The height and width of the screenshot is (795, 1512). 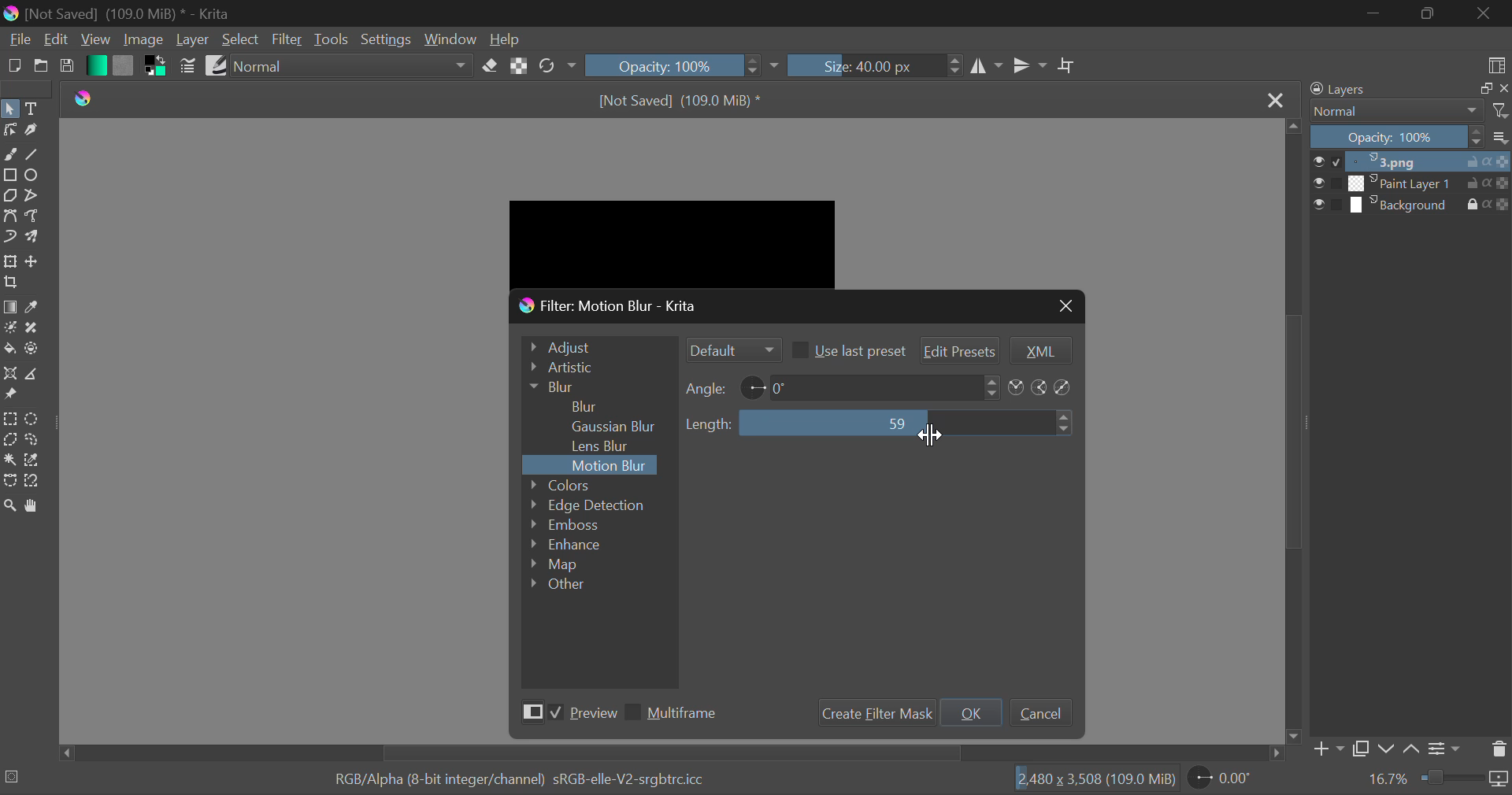 What do you see at coordinates (589, 505) in the screenshot?
I see `Edge Detection` at bounding box center [589, 505].